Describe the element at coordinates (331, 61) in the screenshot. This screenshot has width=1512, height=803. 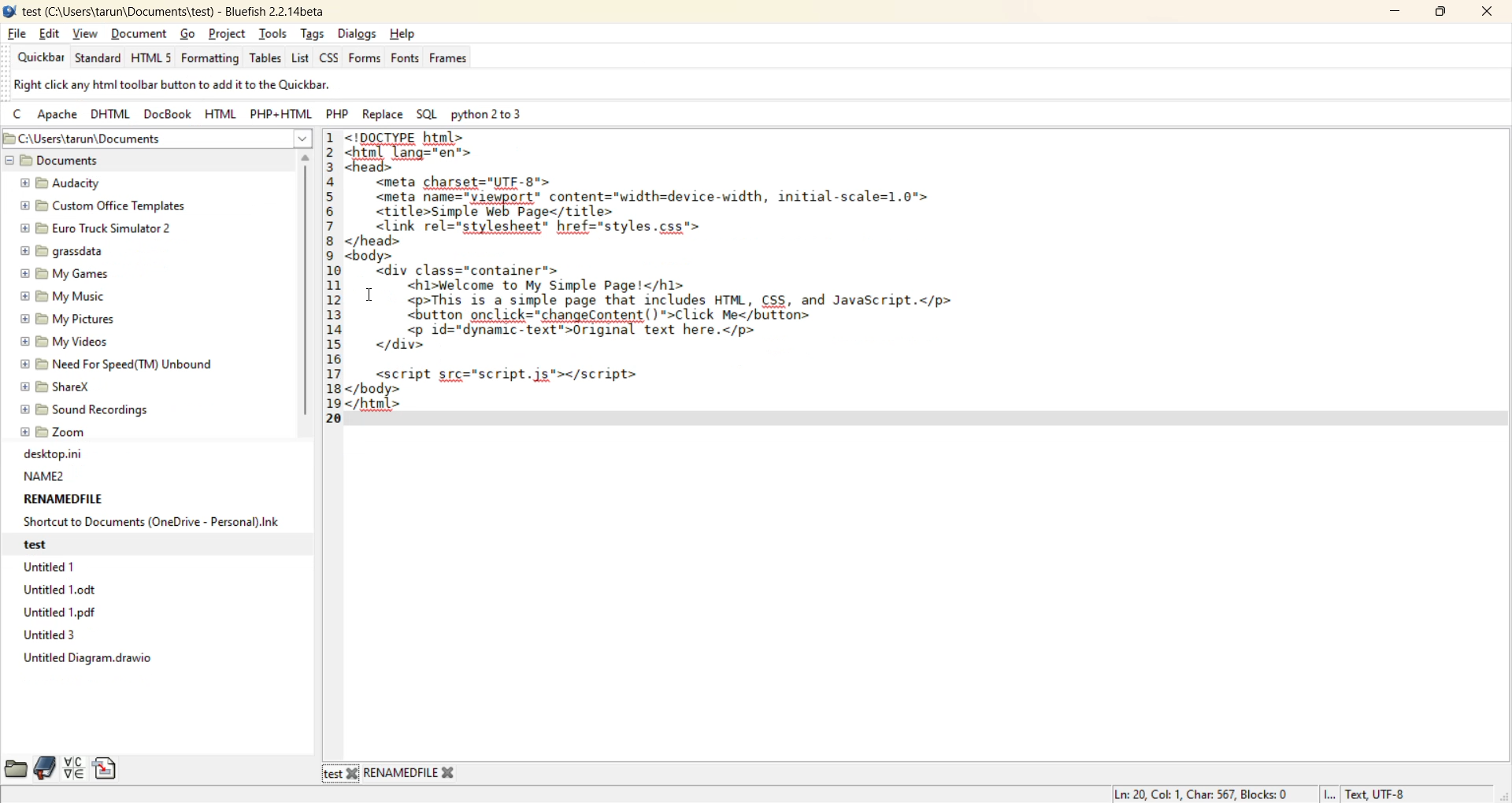
I see `css` at that location.